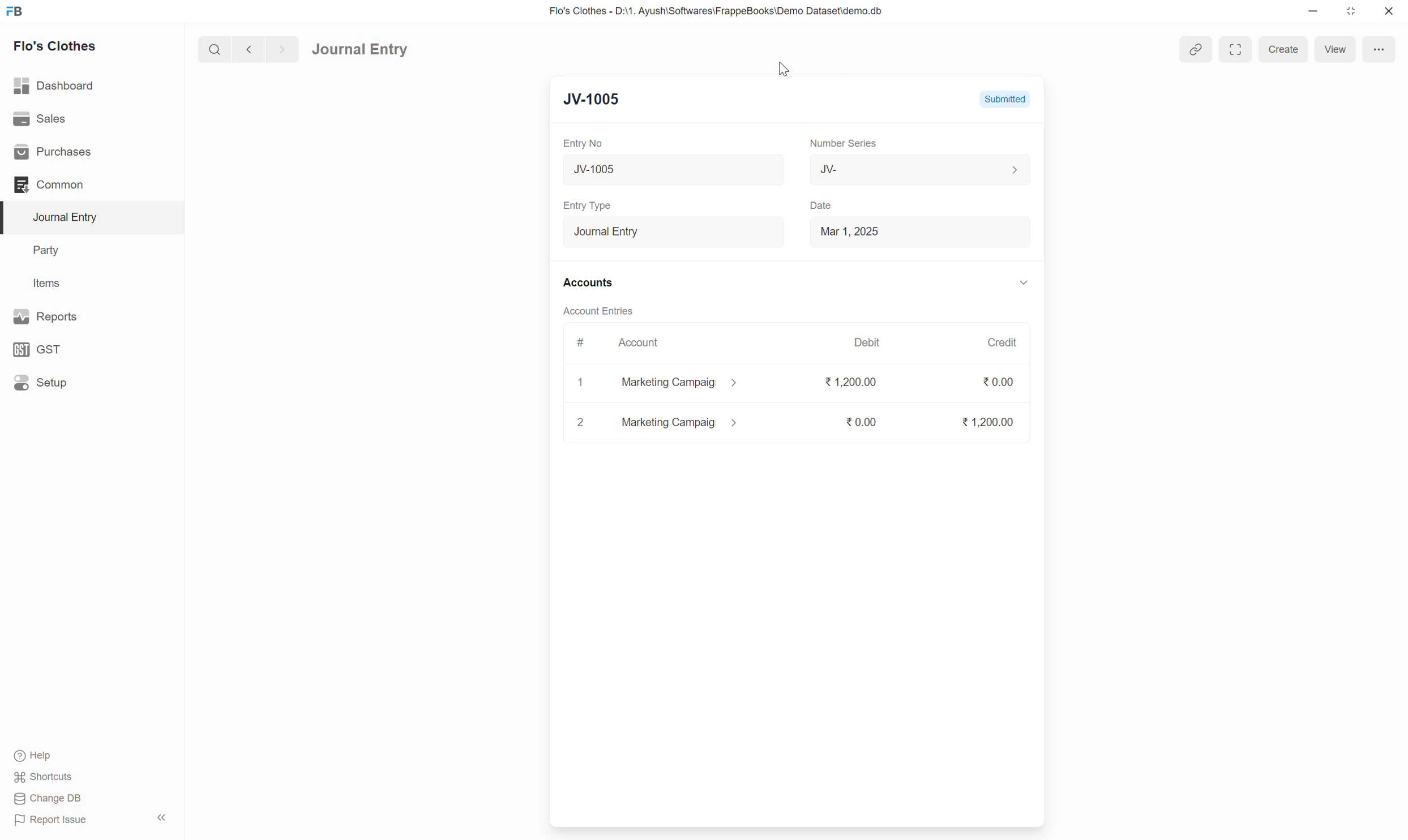 This screenshot has width=1408, height=840. What do you see at coordinates (1336, 49) in the screenshot?
I see `View` at bounding box center [1336, 49].